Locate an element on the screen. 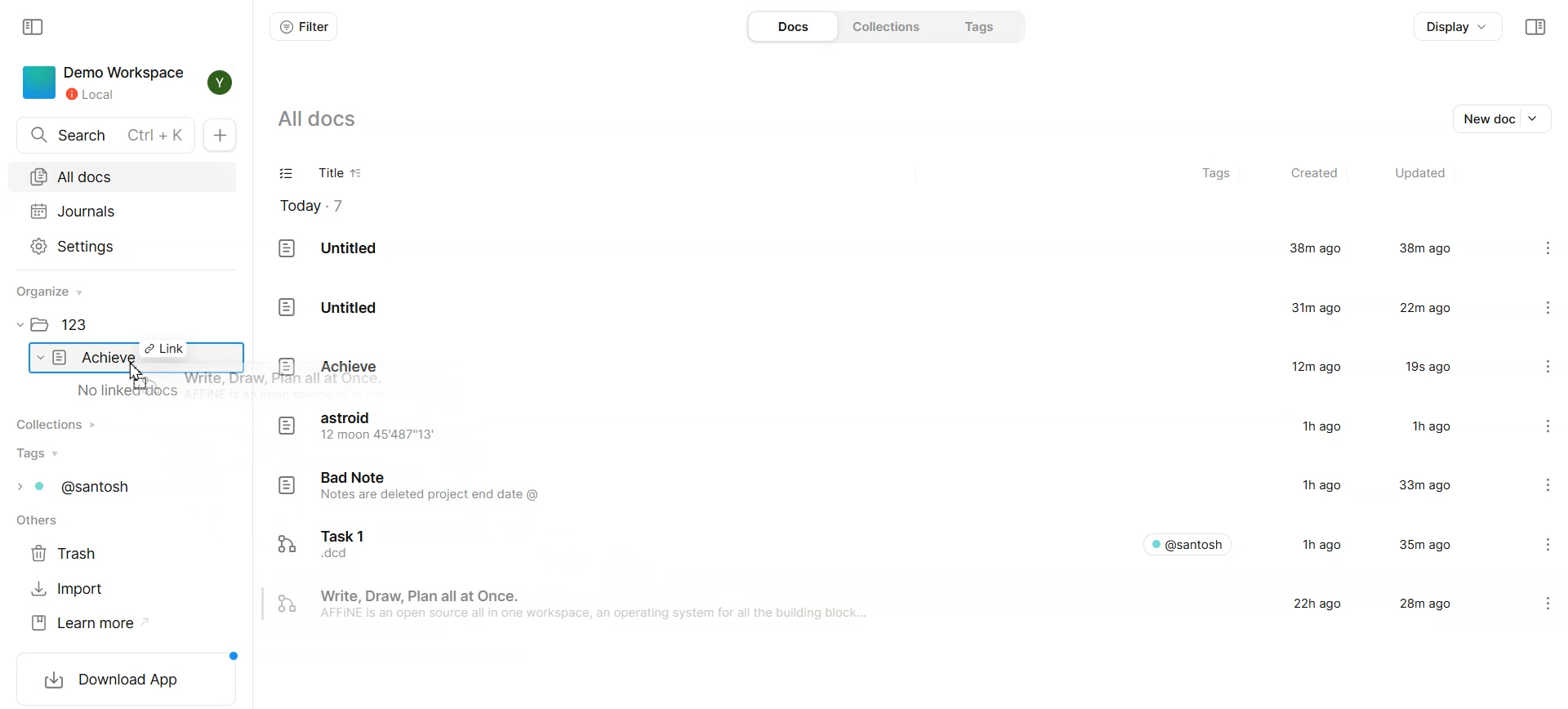  Doc File is located at coordinates (878, 542).